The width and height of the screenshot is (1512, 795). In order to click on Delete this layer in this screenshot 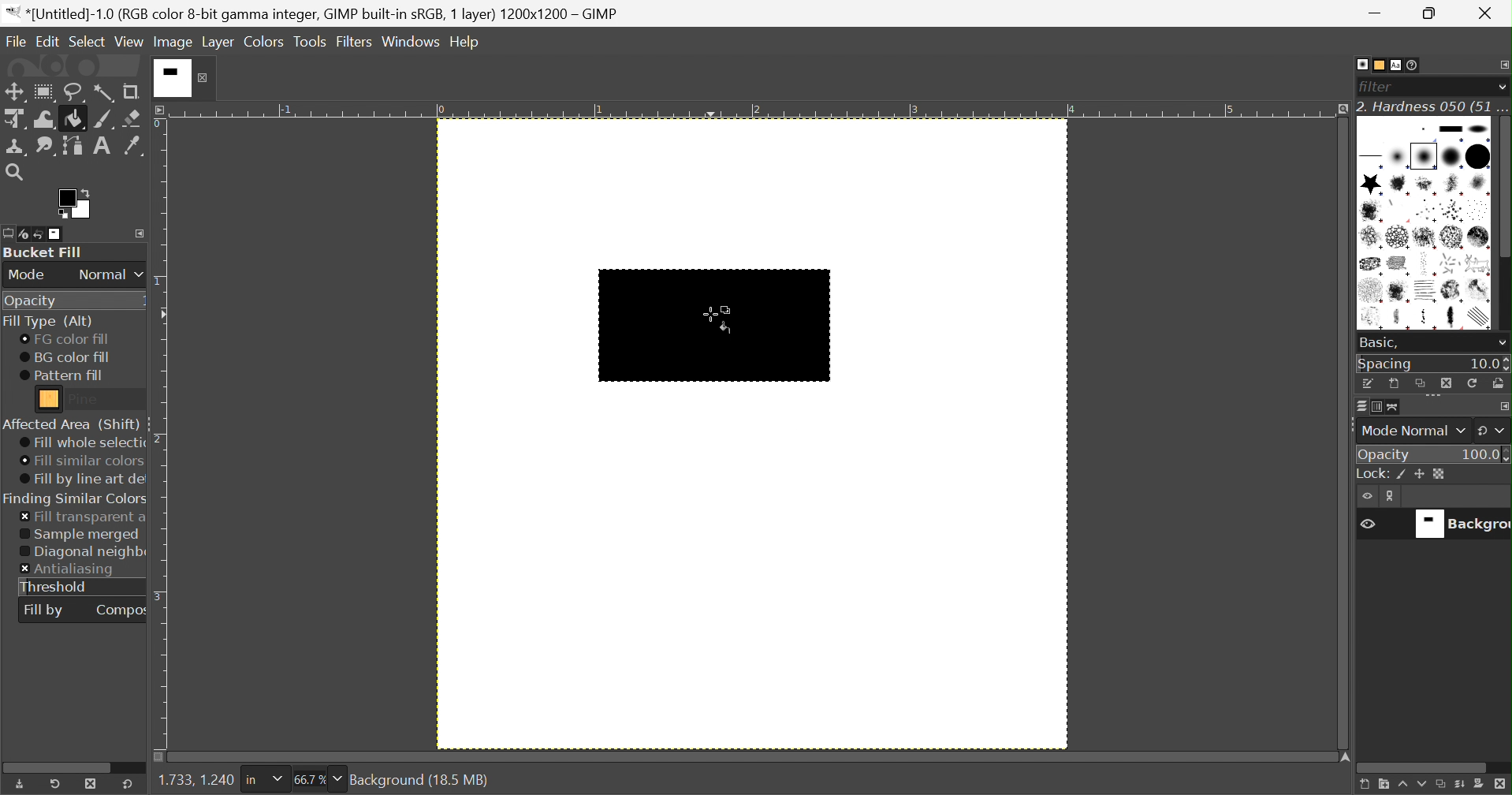, I will do `click(1502, 785)`.